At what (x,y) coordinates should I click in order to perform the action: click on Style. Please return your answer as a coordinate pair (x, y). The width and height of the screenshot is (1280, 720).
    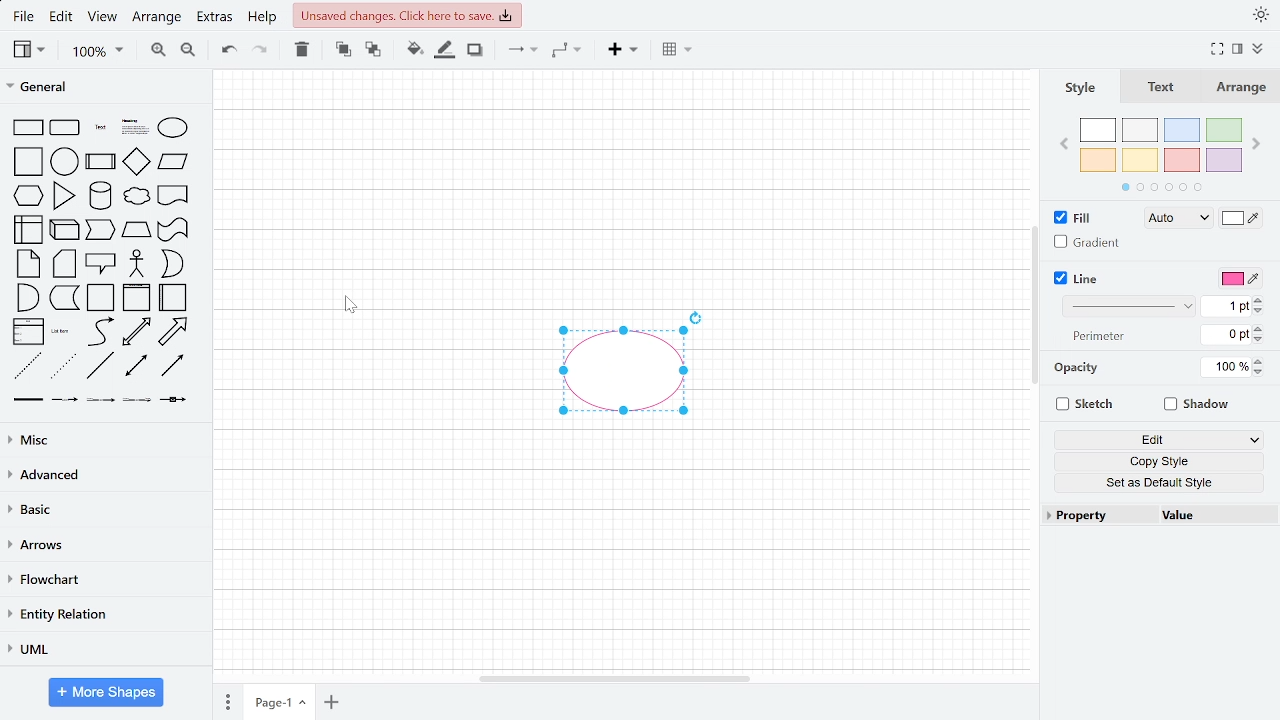
    Looking at the image, I should click on (1074, 88).